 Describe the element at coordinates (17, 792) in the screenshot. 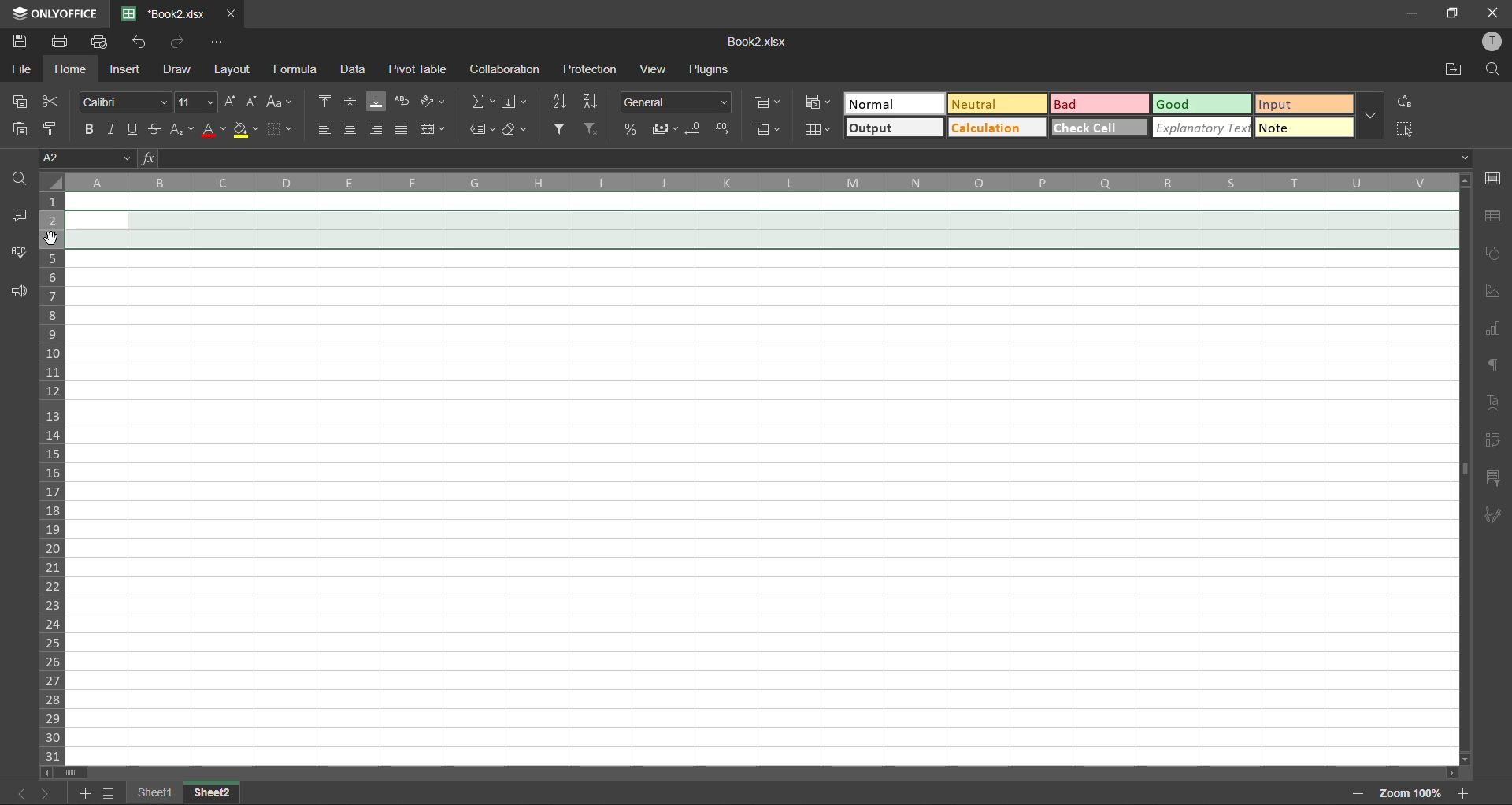

I see `previous` at that location.